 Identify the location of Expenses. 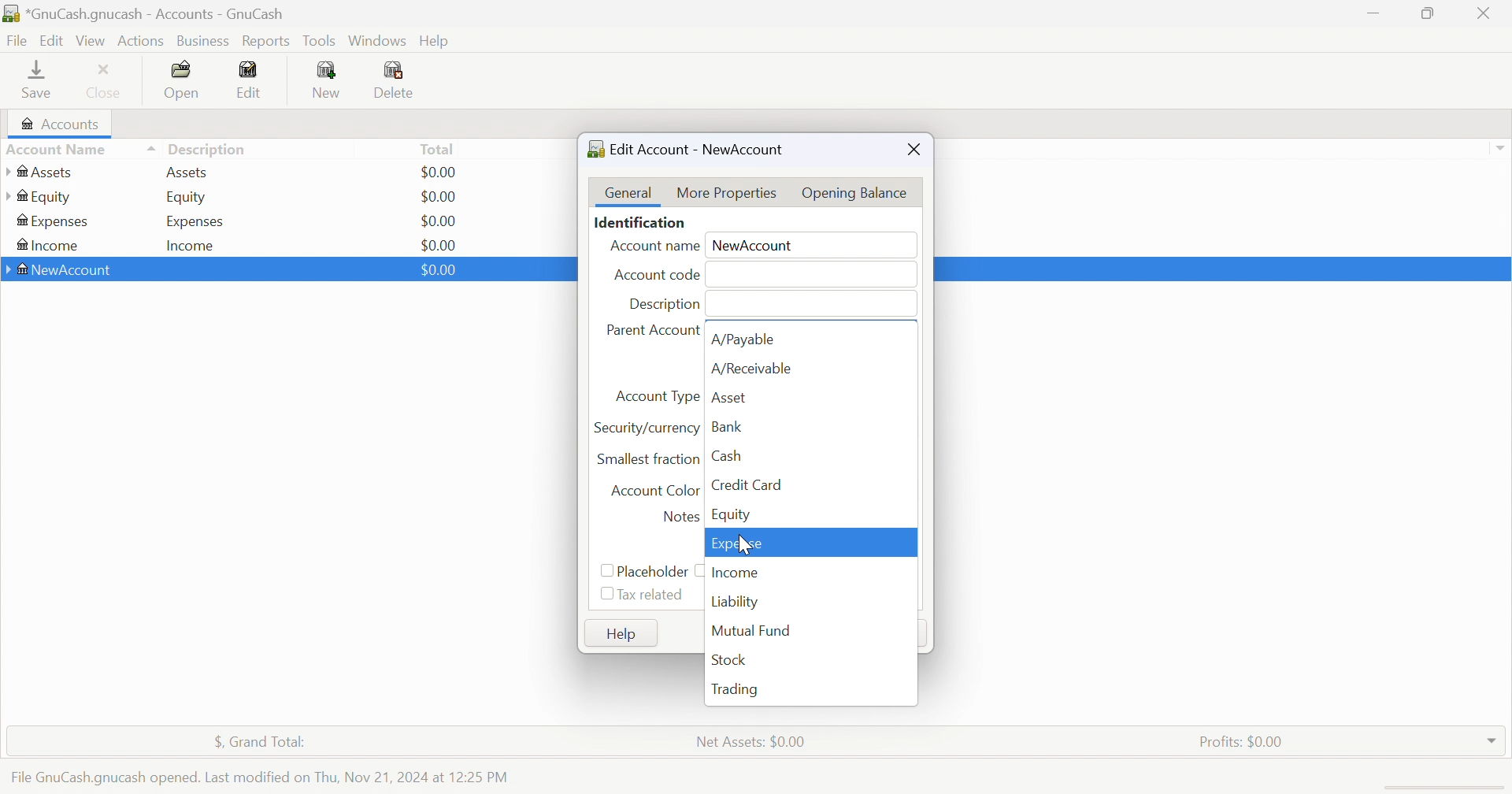
(195, 222).